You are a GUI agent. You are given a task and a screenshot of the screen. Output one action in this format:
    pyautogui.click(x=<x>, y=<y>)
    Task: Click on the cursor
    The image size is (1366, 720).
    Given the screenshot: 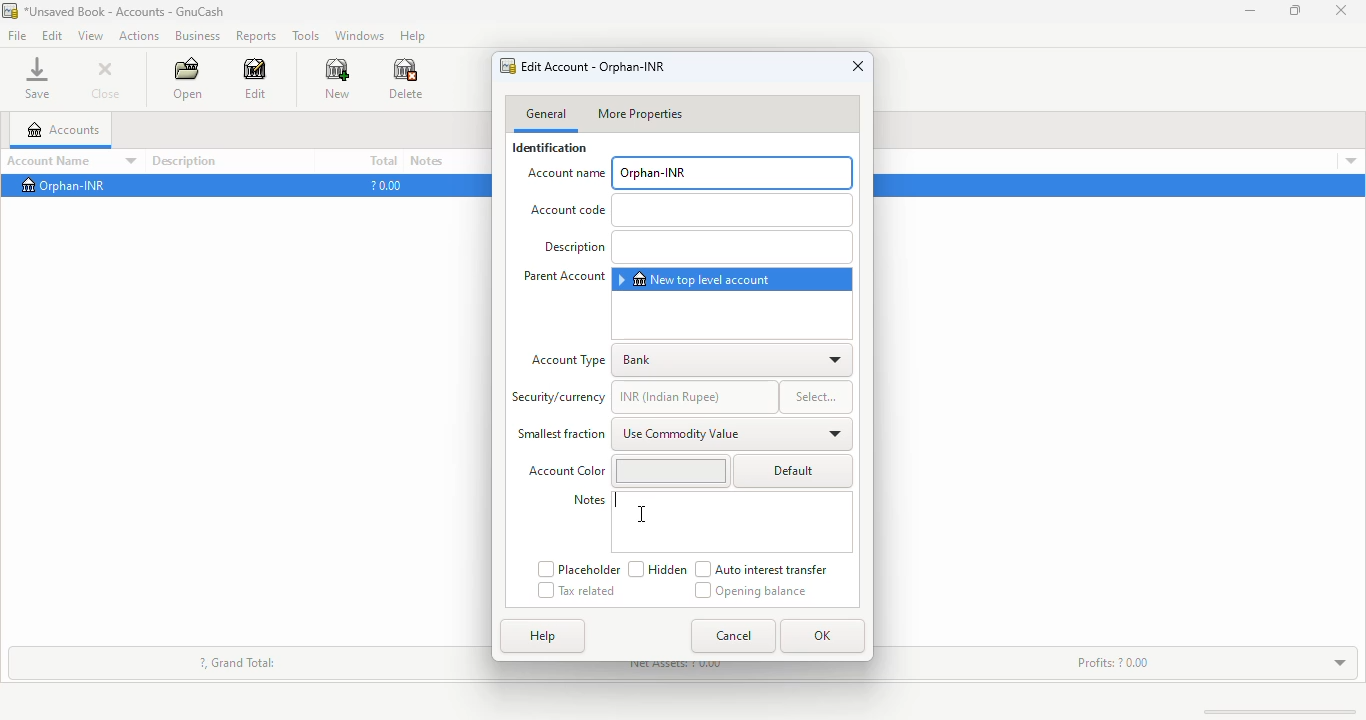 What is the action you would take?
    pyautogui.click(x=639, y=510)
    